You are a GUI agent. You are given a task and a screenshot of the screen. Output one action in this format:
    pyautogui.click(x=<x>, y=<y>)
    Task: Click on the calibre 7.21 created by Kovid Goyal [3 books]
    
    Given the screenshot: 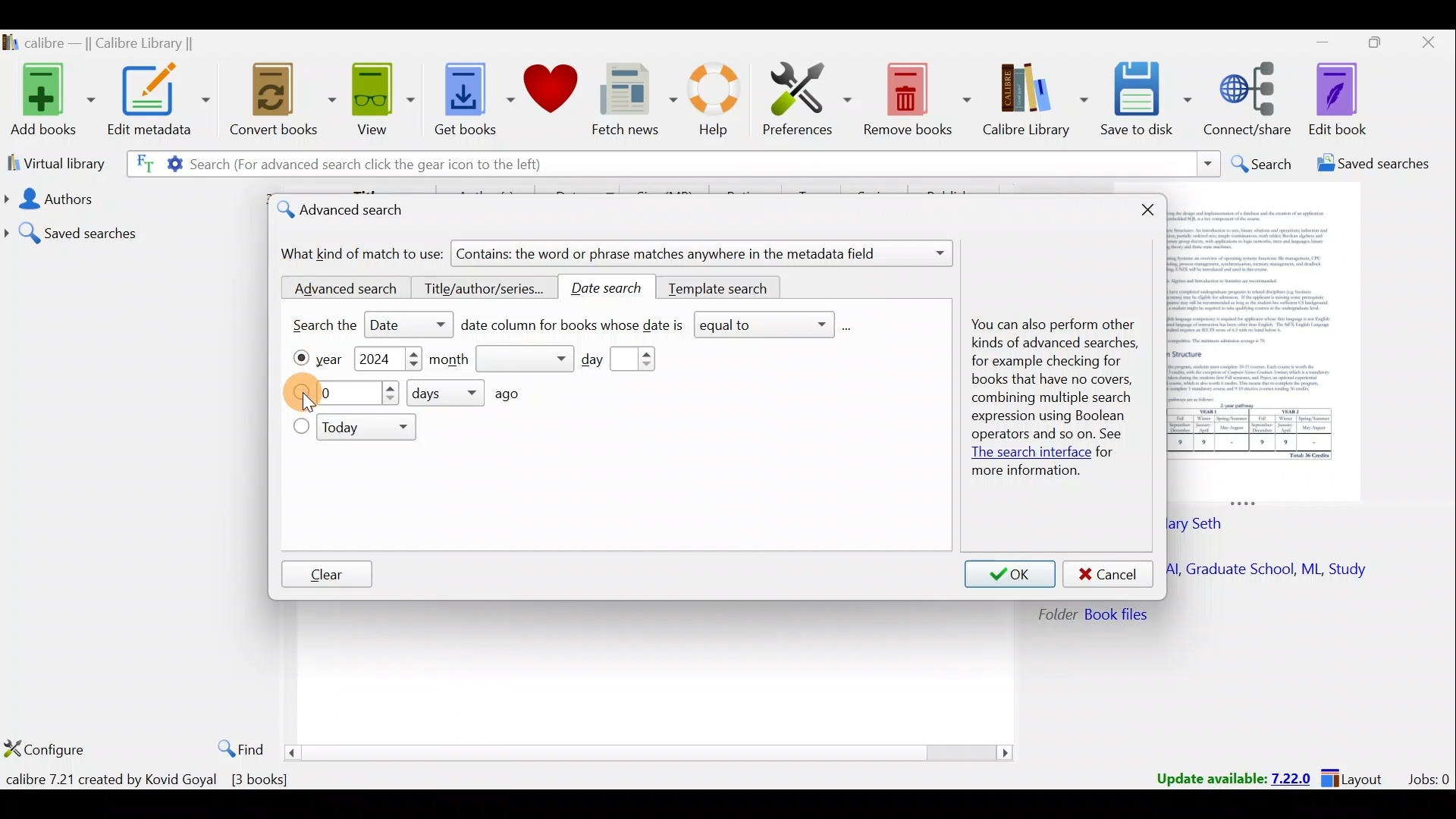 What is the action you would take?
    pyautogui.click(x=151, y=780)
    